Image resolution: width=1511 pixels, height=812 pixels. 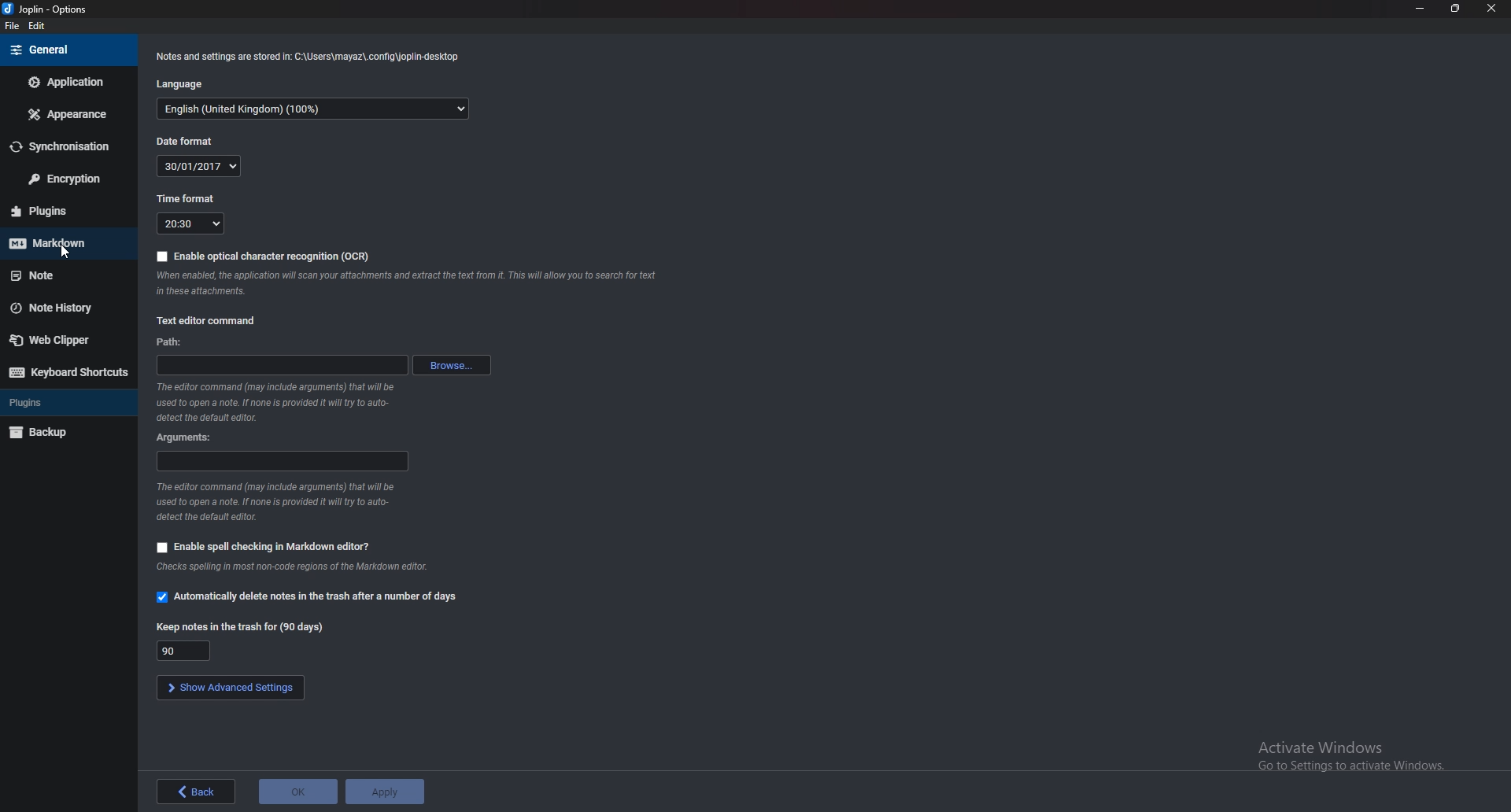 What do you see at coordinates (64, 250) in the screenshot?
I see `cursor` at bounding box center [64, 250].